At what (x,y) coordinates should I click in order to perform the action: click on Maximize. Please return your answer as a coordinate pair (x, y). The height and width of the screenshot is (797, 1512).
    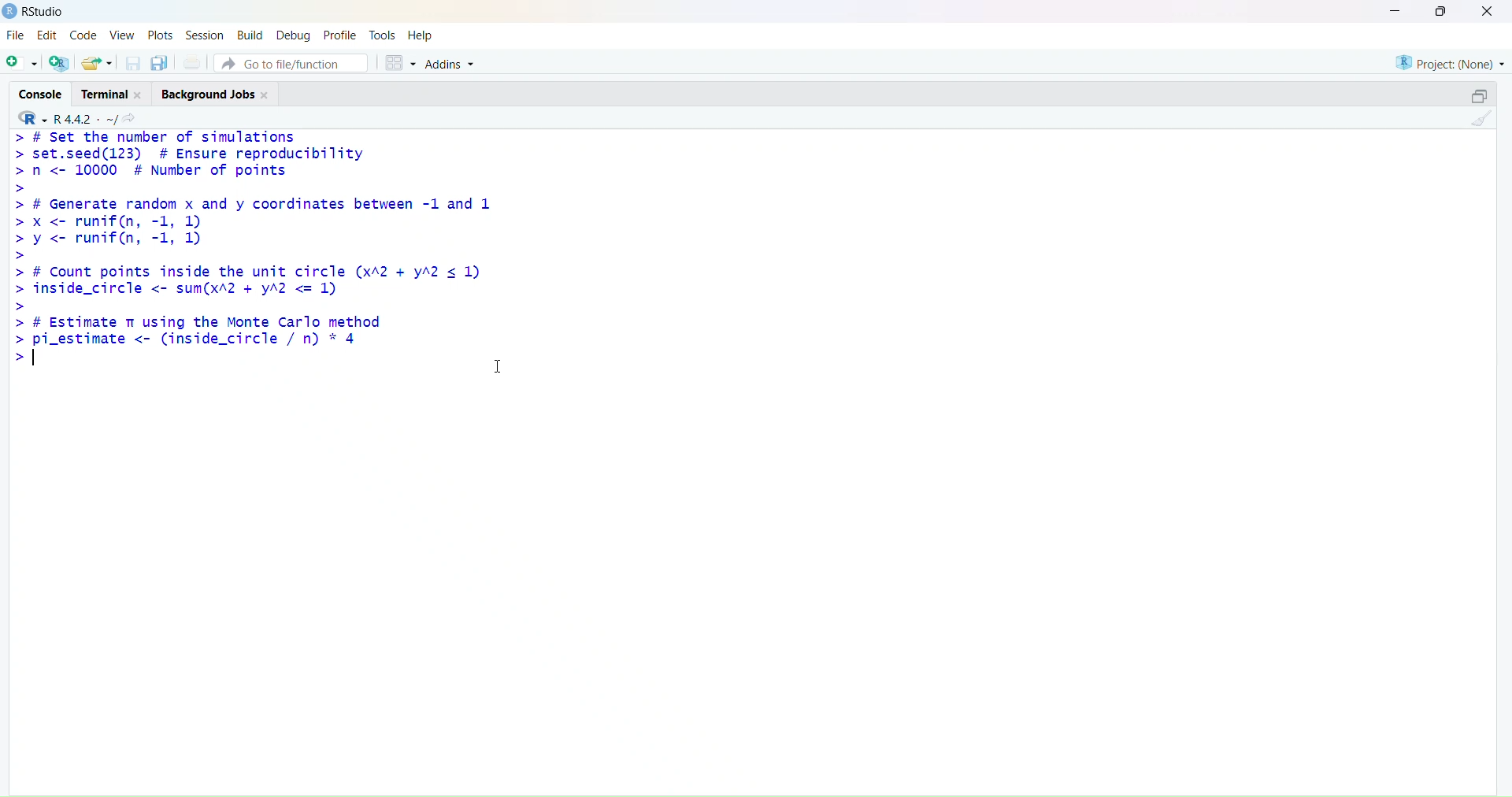
    Looking at the image, I should click on (1481, 95).